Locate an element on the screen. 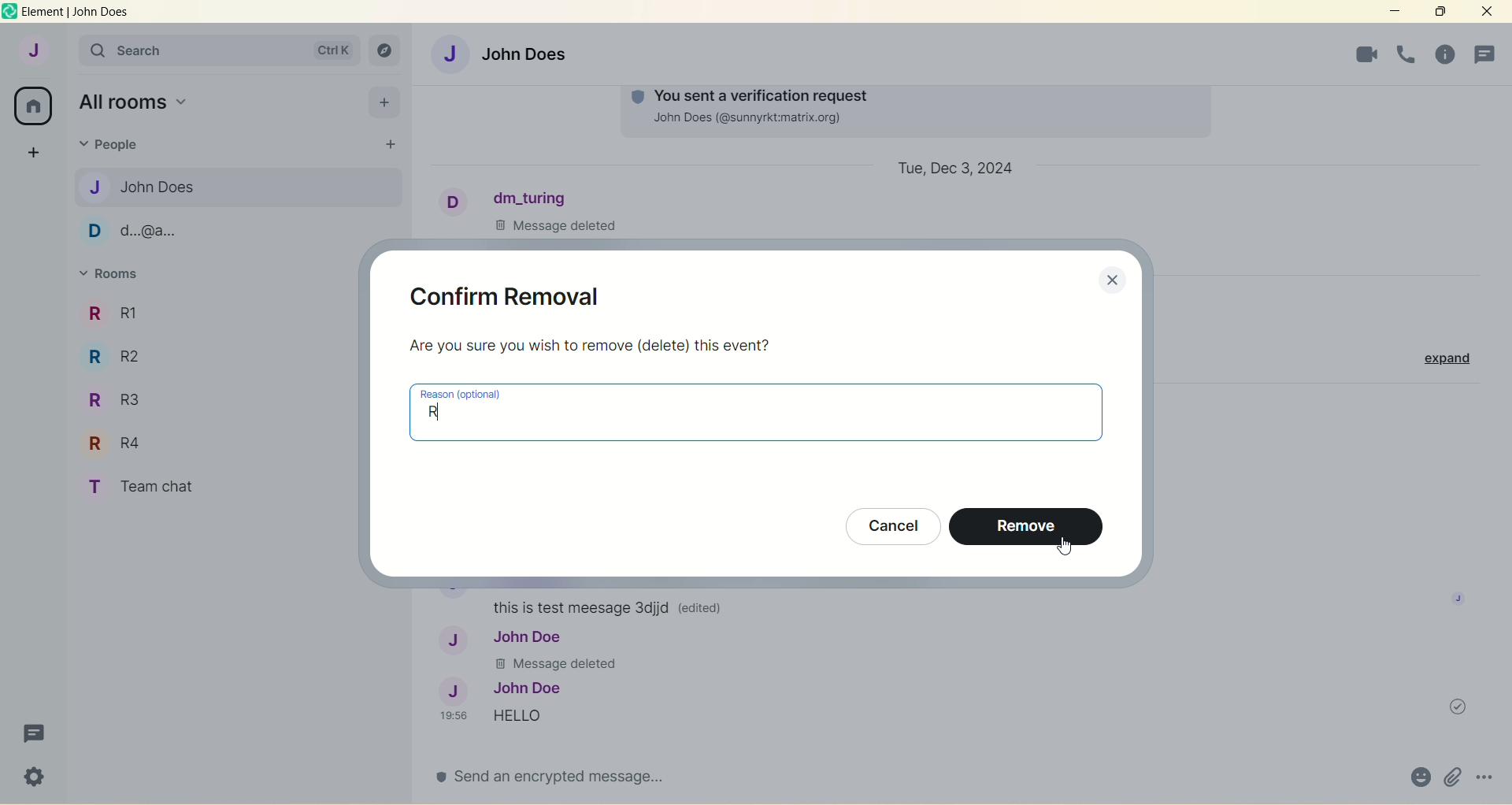 The image size is (1512, 805). room info is located at coordinates (1402, 55).